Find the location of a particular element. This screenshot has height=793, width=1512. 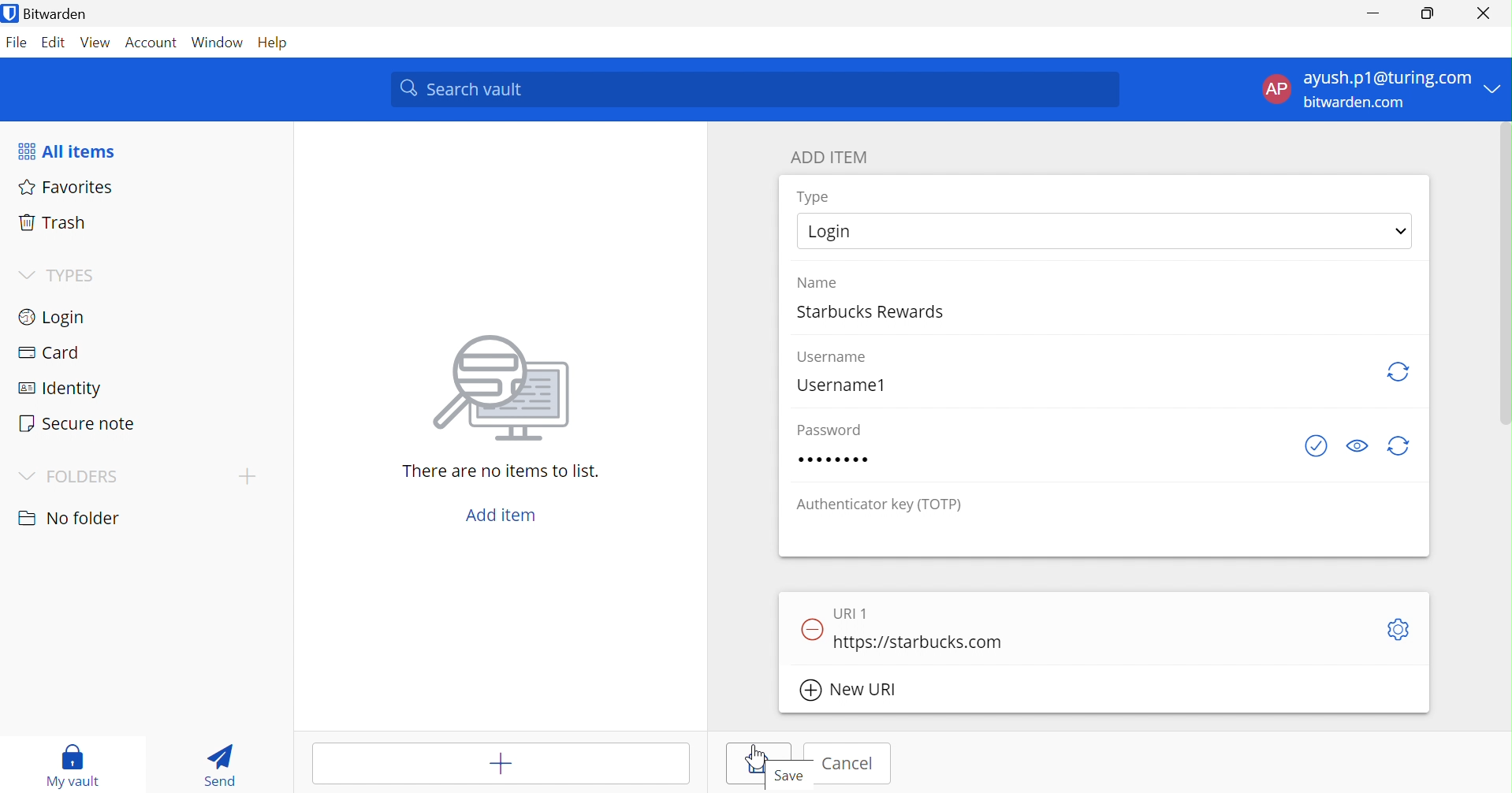

Authenticator key (TOTP) is located at coordinates (878, 505).